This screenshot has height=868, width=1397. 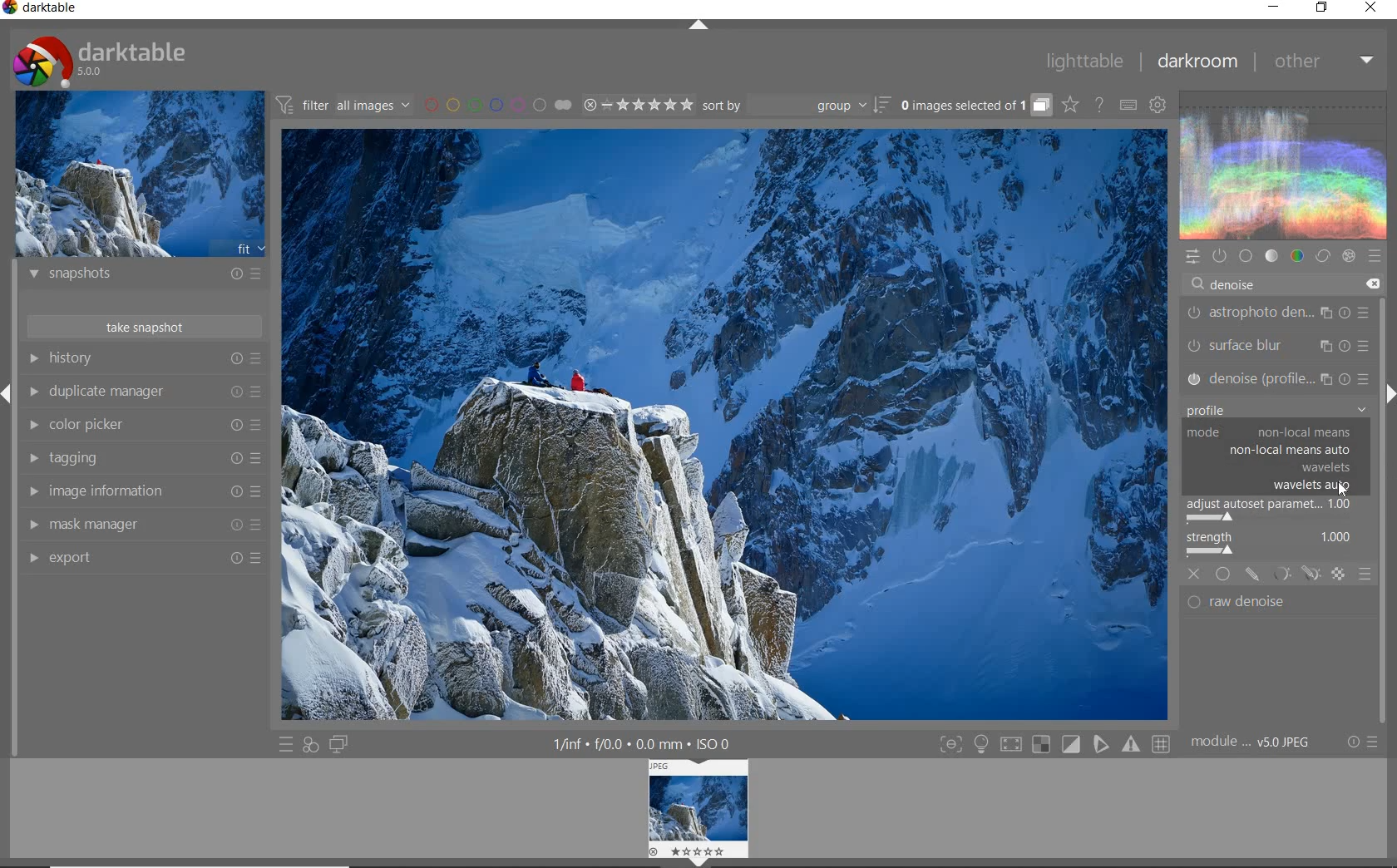 I want to click on MODE, so click(x=1275, y=432).